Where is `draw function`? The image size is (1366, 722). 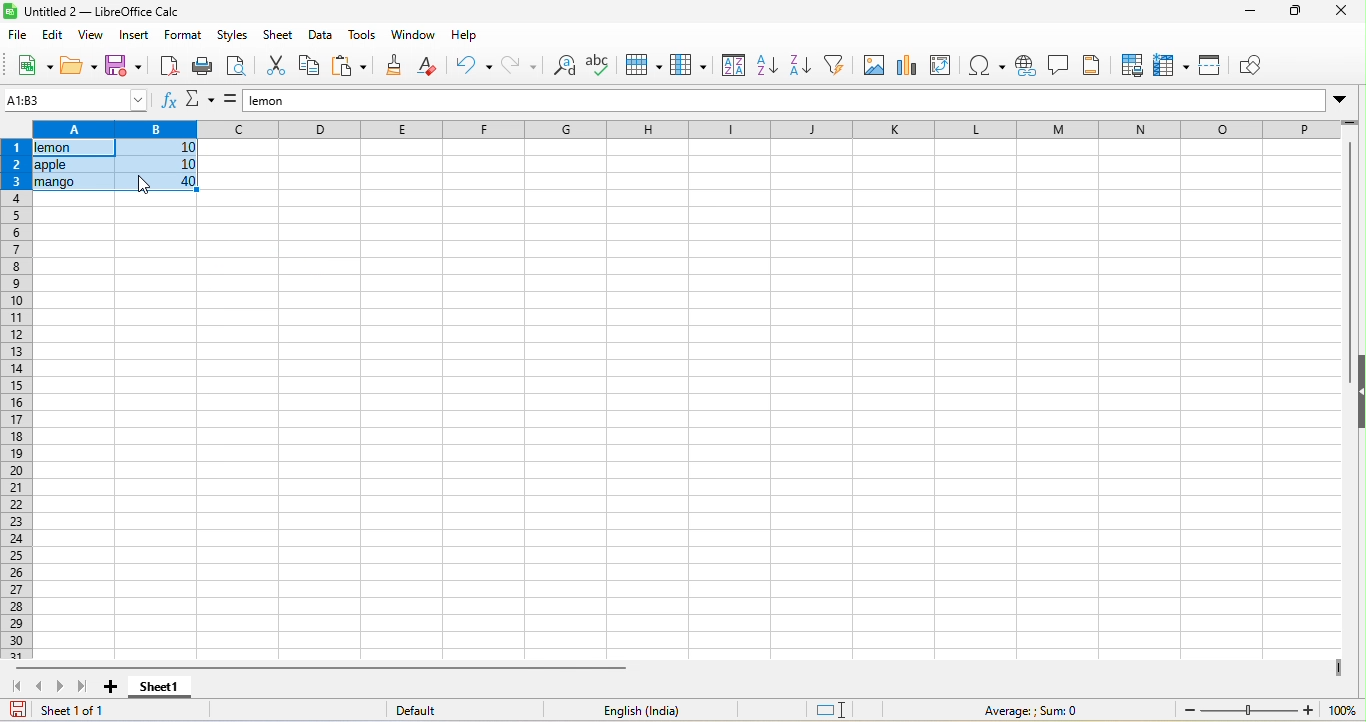
draw function is located at coordinates (1255, 66).